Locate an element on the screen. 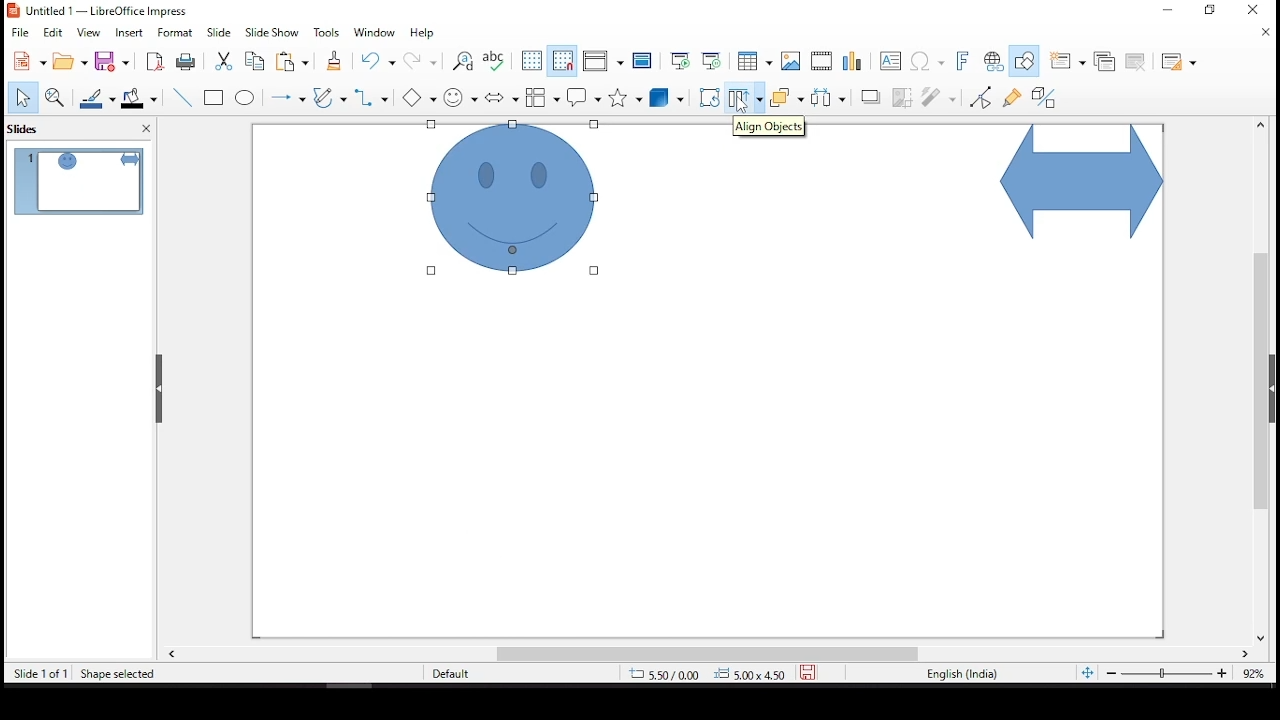 The image size is (1280, 720). fill color is located at coordinates (143, 98).